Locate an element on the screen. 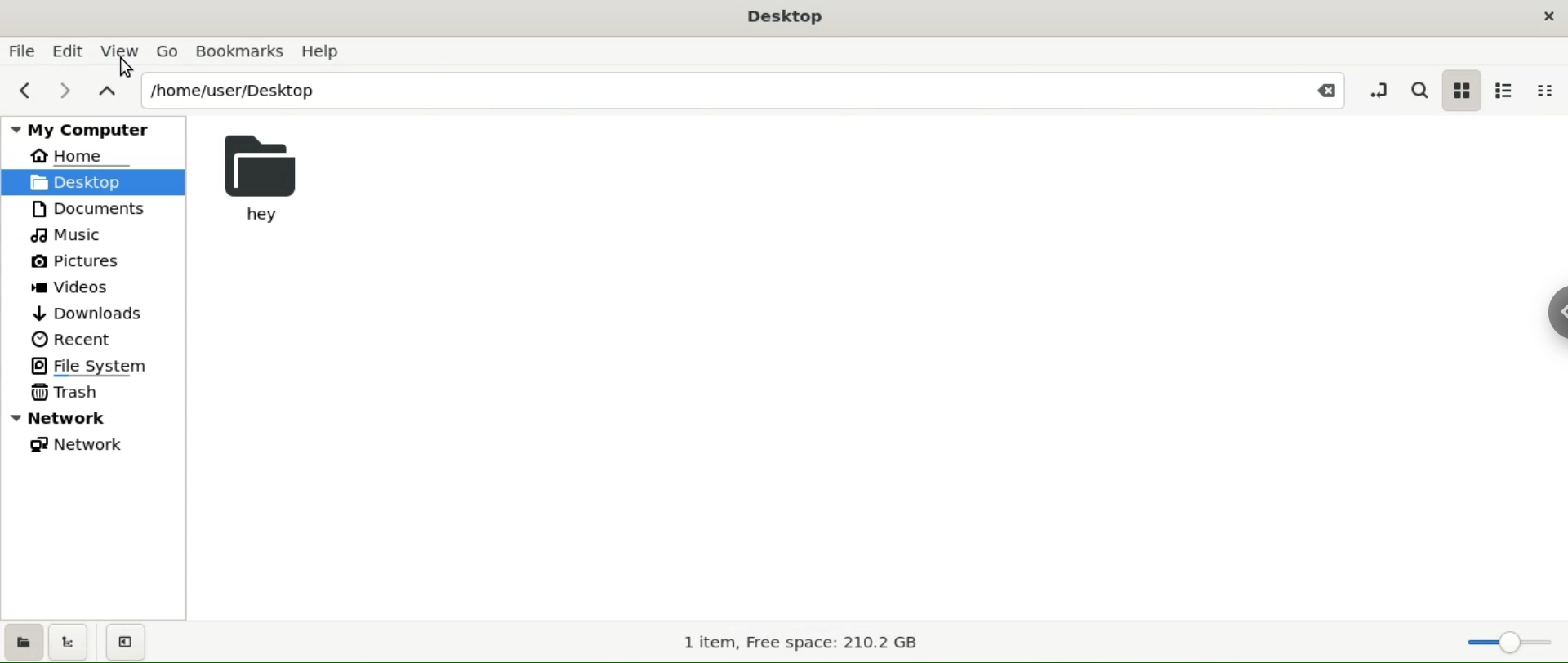  music is located at coordinates (69, 236).